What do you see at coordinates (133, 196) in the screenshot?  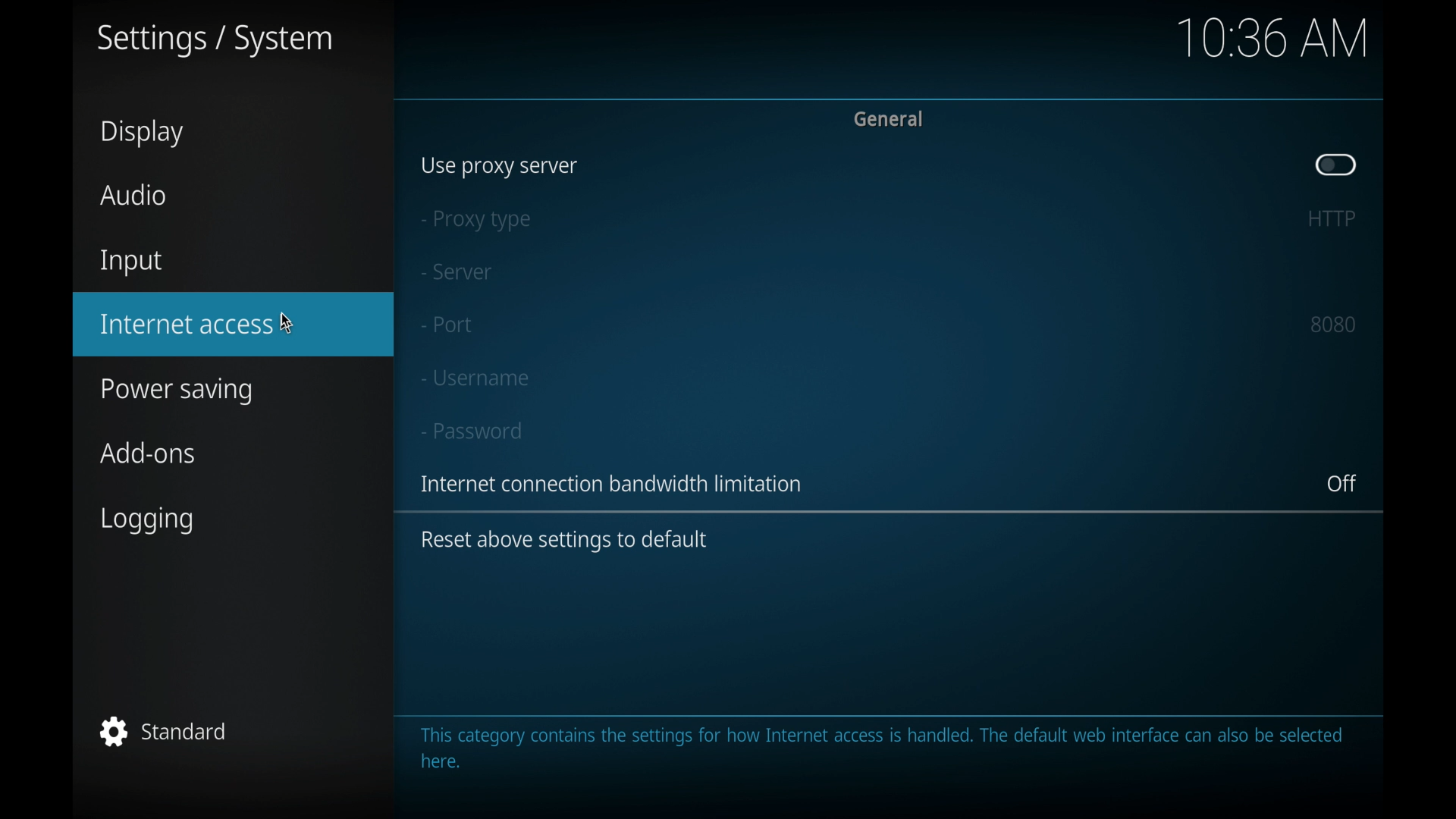 I see `audio` at bounding box center [133, 196].